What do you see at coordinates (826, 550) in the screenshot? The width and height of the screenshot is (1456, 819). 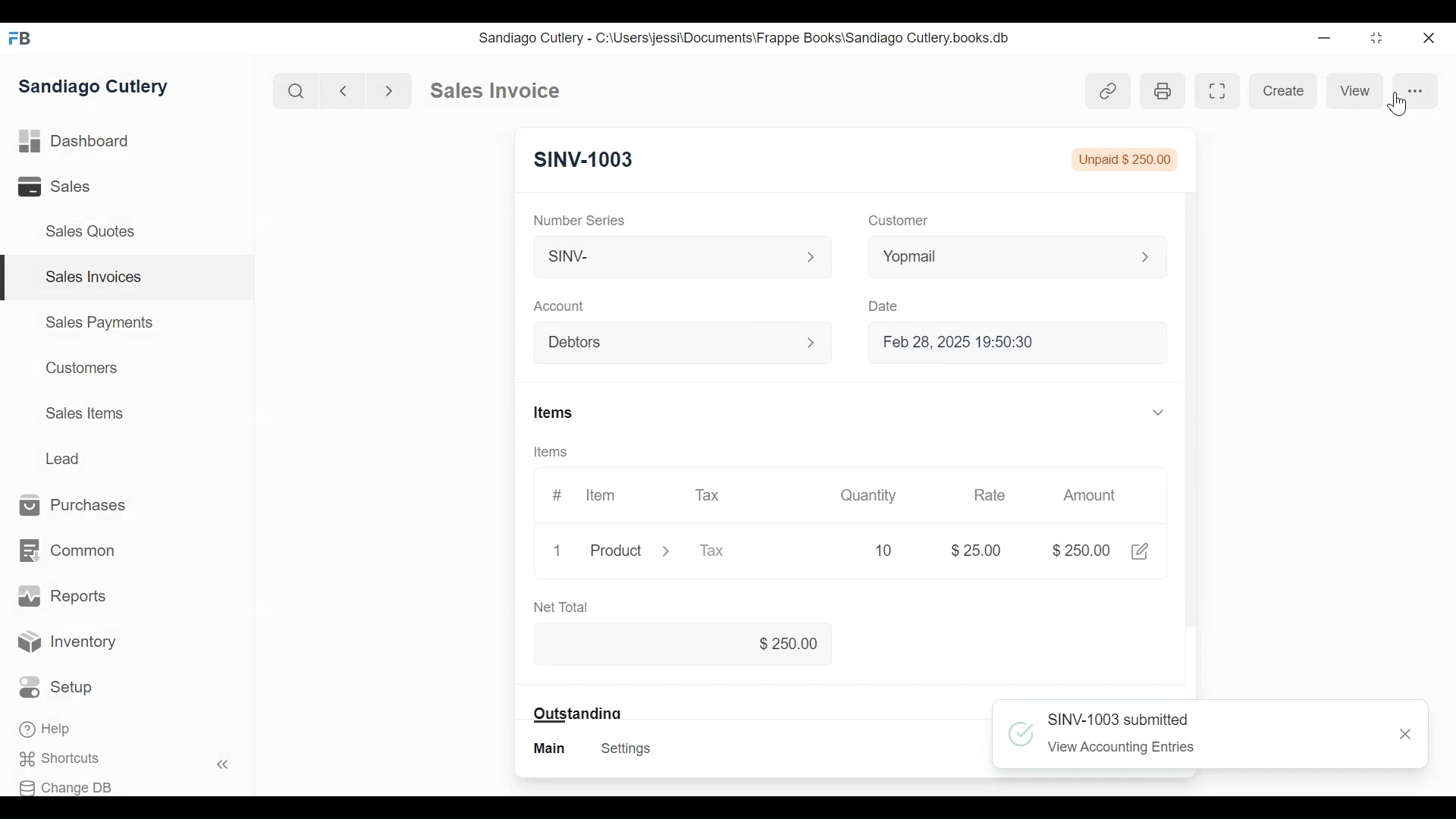 I see `1 Product > Tax 10 $25.00 $250.00` at bounding box center [826, 550].